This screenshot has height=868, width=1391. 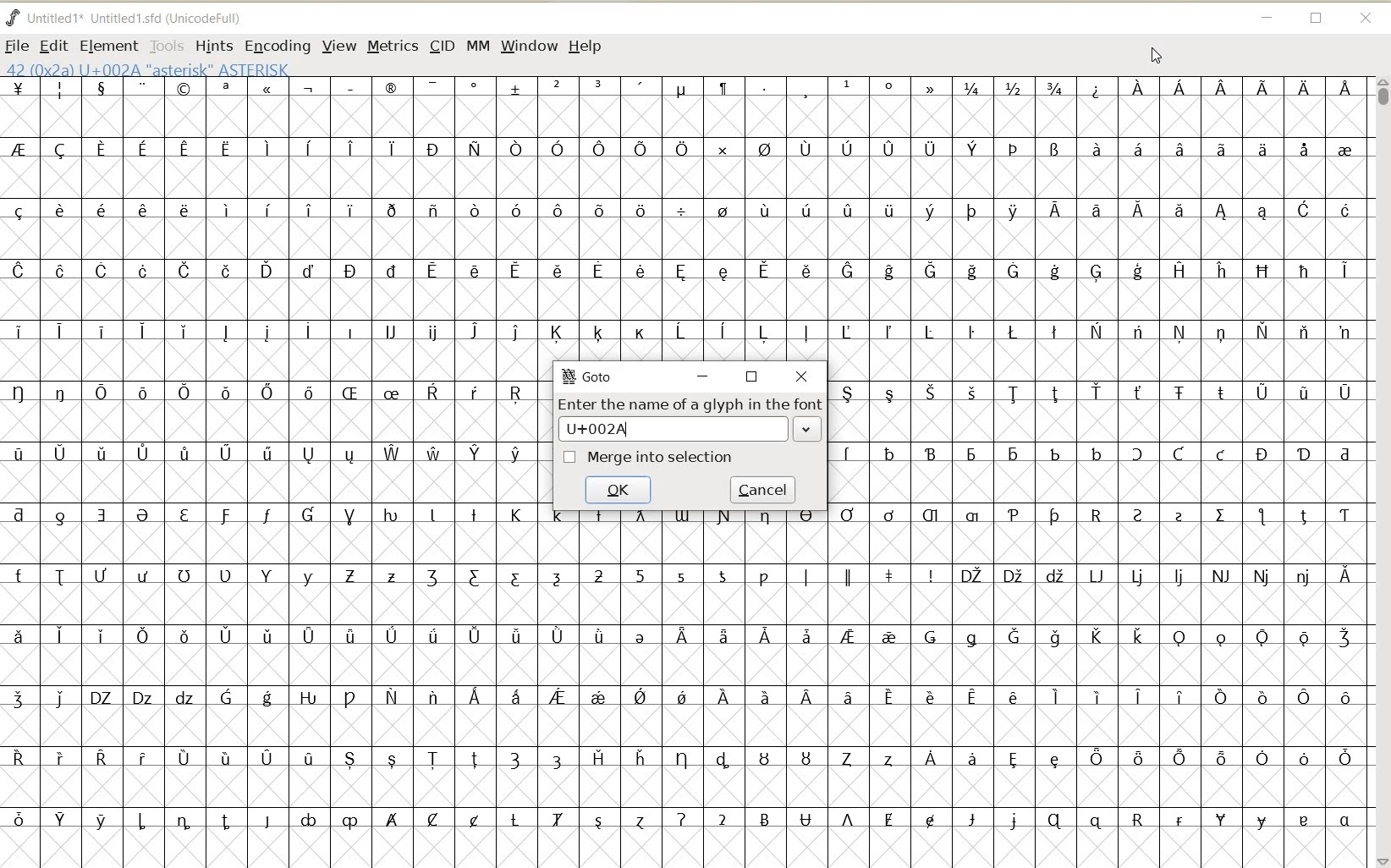 What do you see at coordinates (635, 430) in the screenshot?
I see `U+002A` at bounding box center [635, 430].